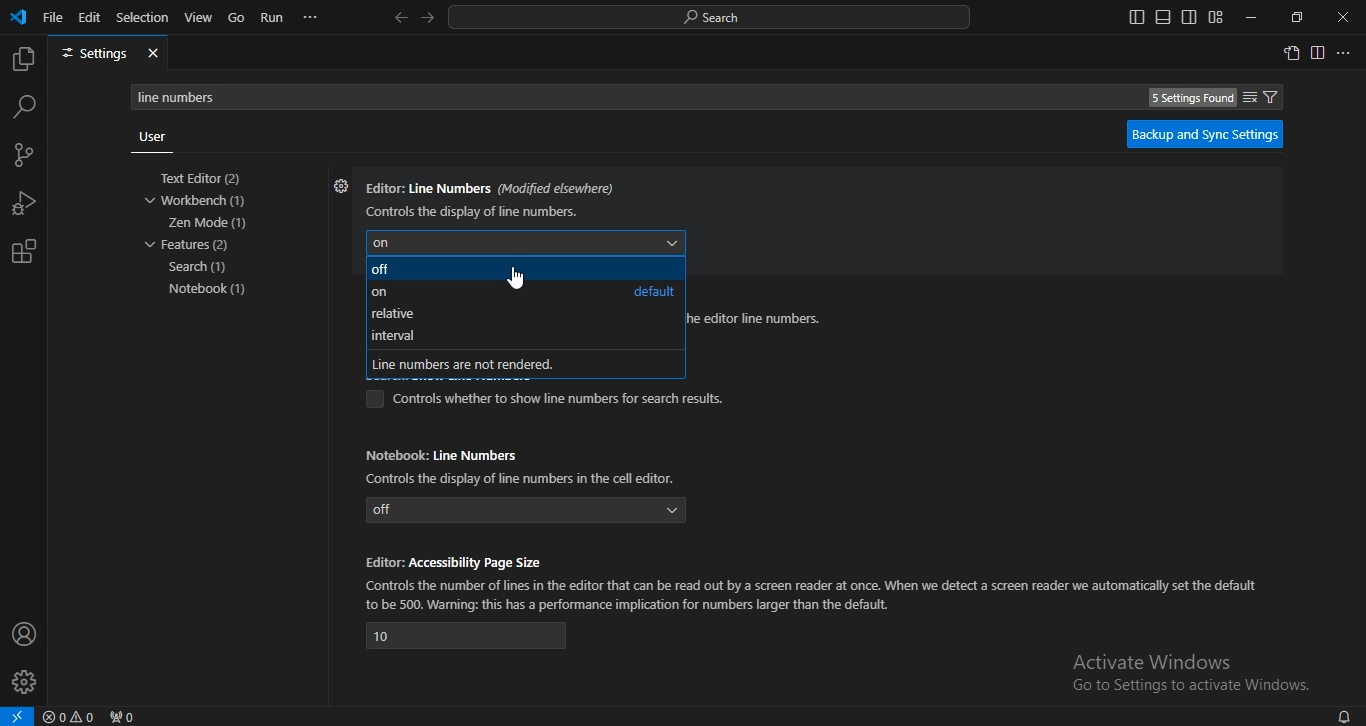 The height and width of the screenshot is (726, 1366). Describe the element at coordinates (17, 716) in the screenshot. I see `open a remote window` at that location.